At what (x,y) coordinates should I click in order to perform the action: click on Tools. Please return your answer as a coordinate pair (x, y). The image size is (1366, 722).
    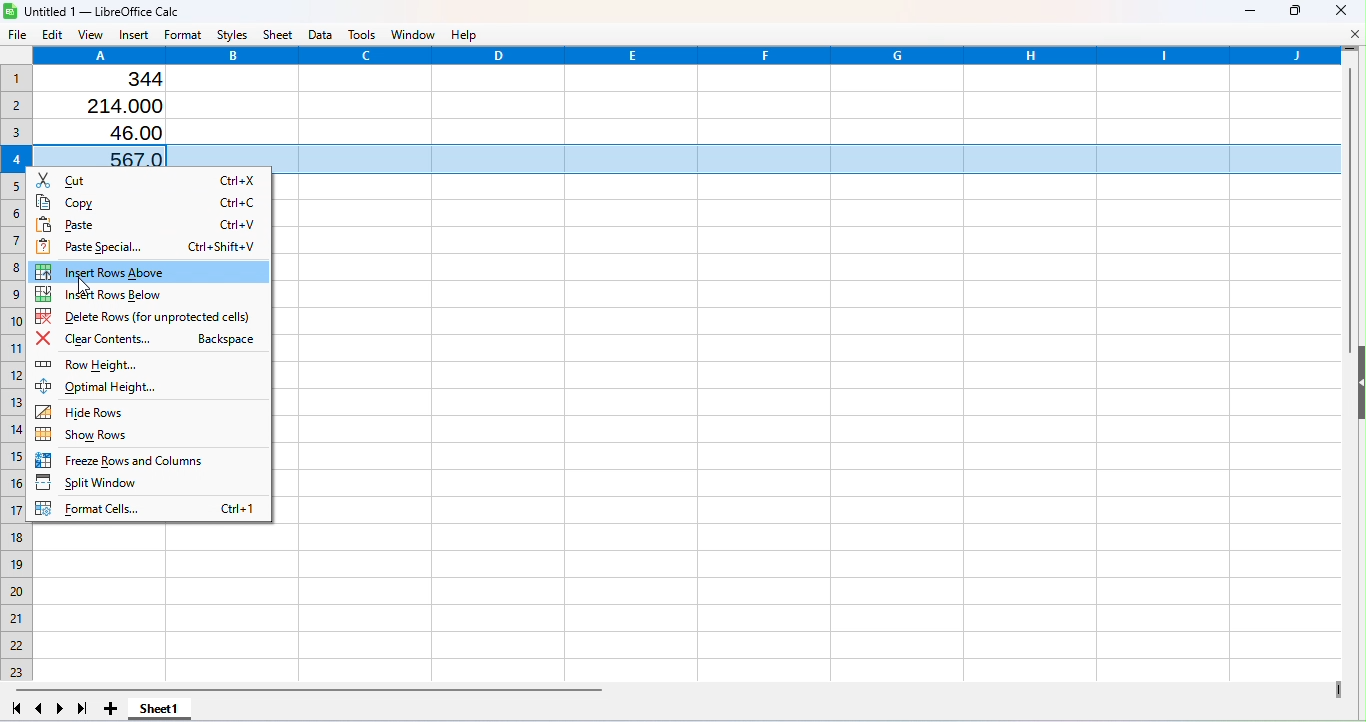
    Looking at the image, I should click on (363, 34).